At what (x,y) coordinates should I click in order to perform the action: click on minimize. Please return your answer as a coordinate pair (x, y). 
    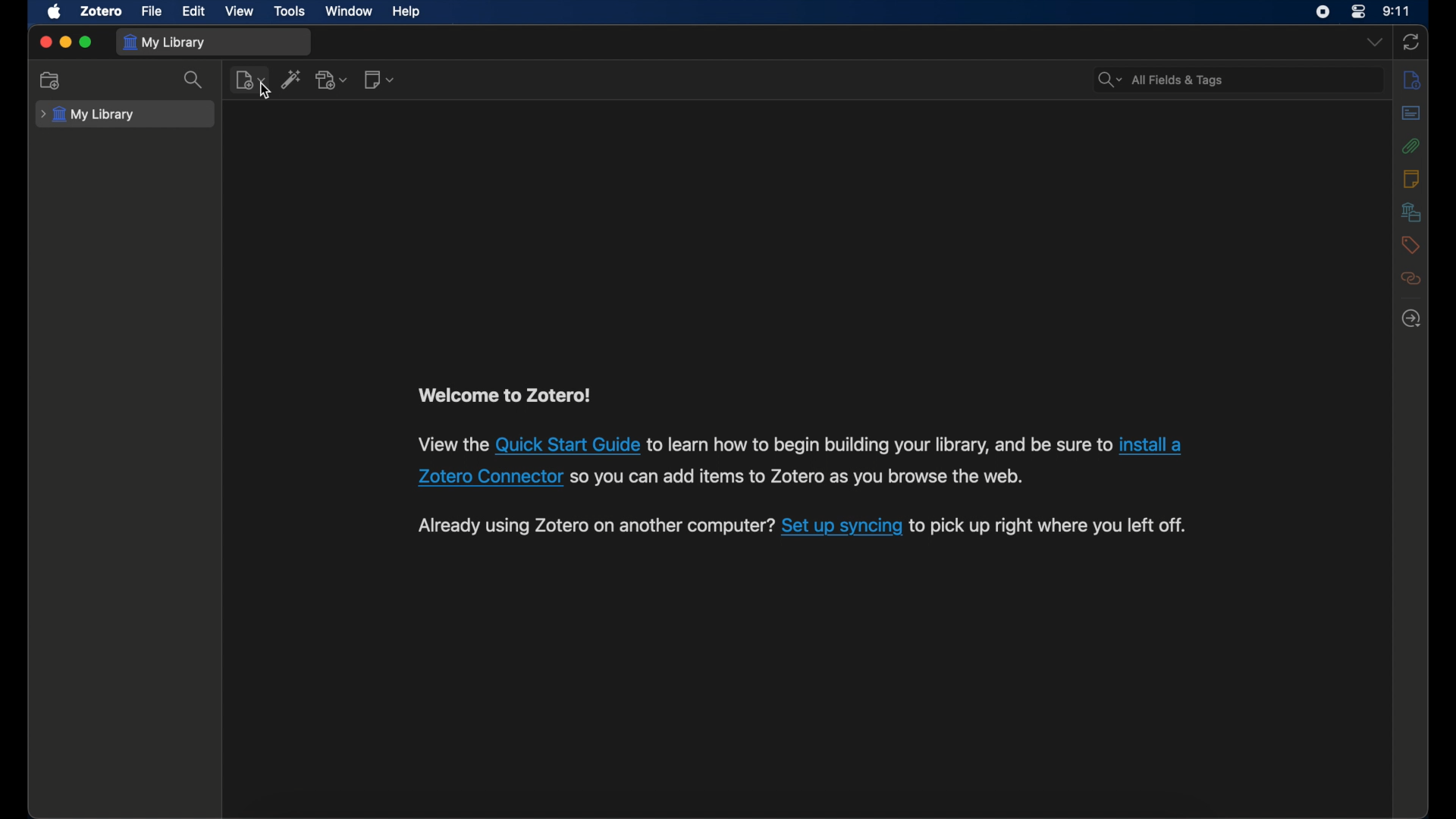
    Looking at the image, I should click on (65, 42).